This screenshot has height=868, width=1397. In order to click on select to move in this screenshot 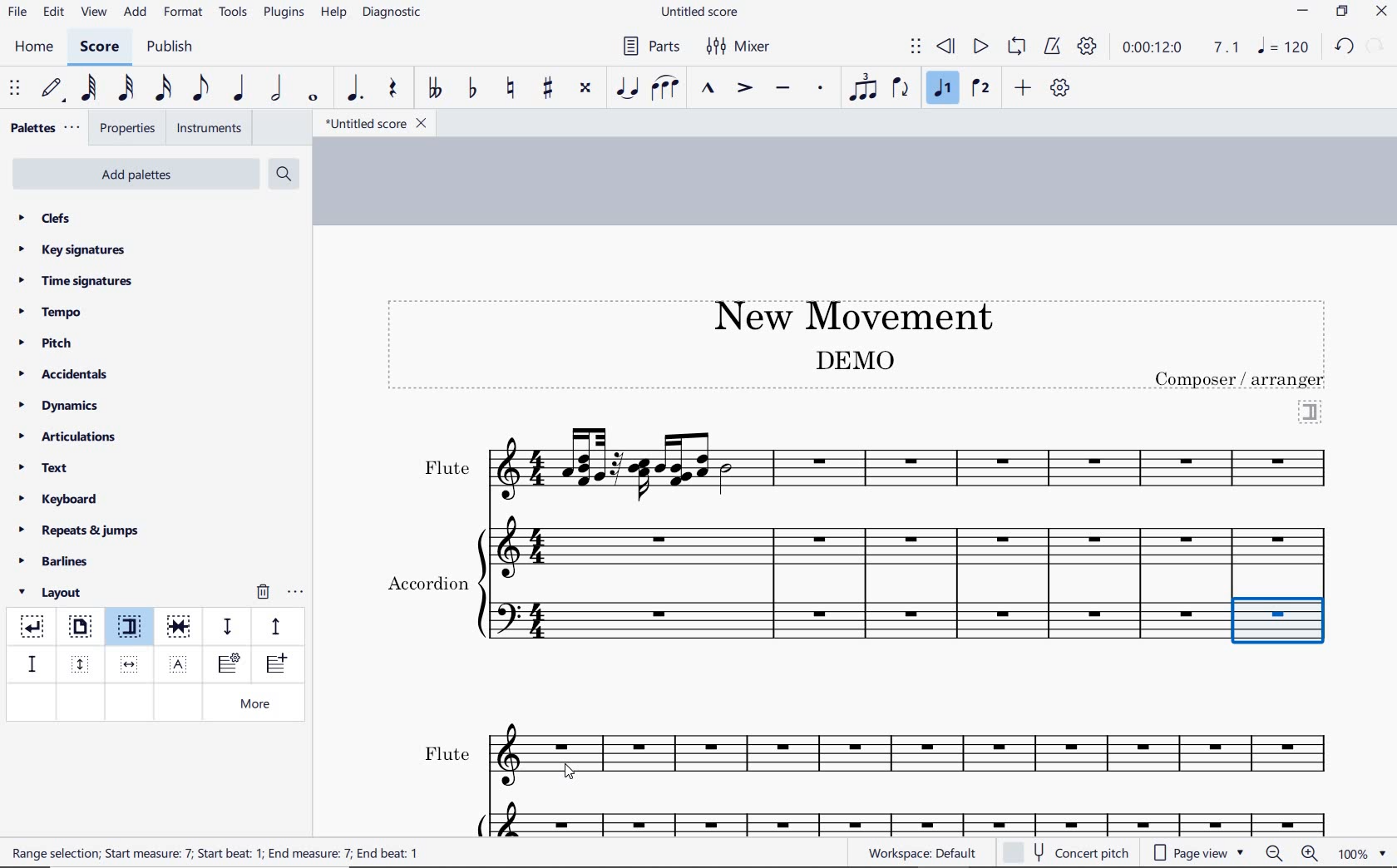, I will do `click(17, 89)`.